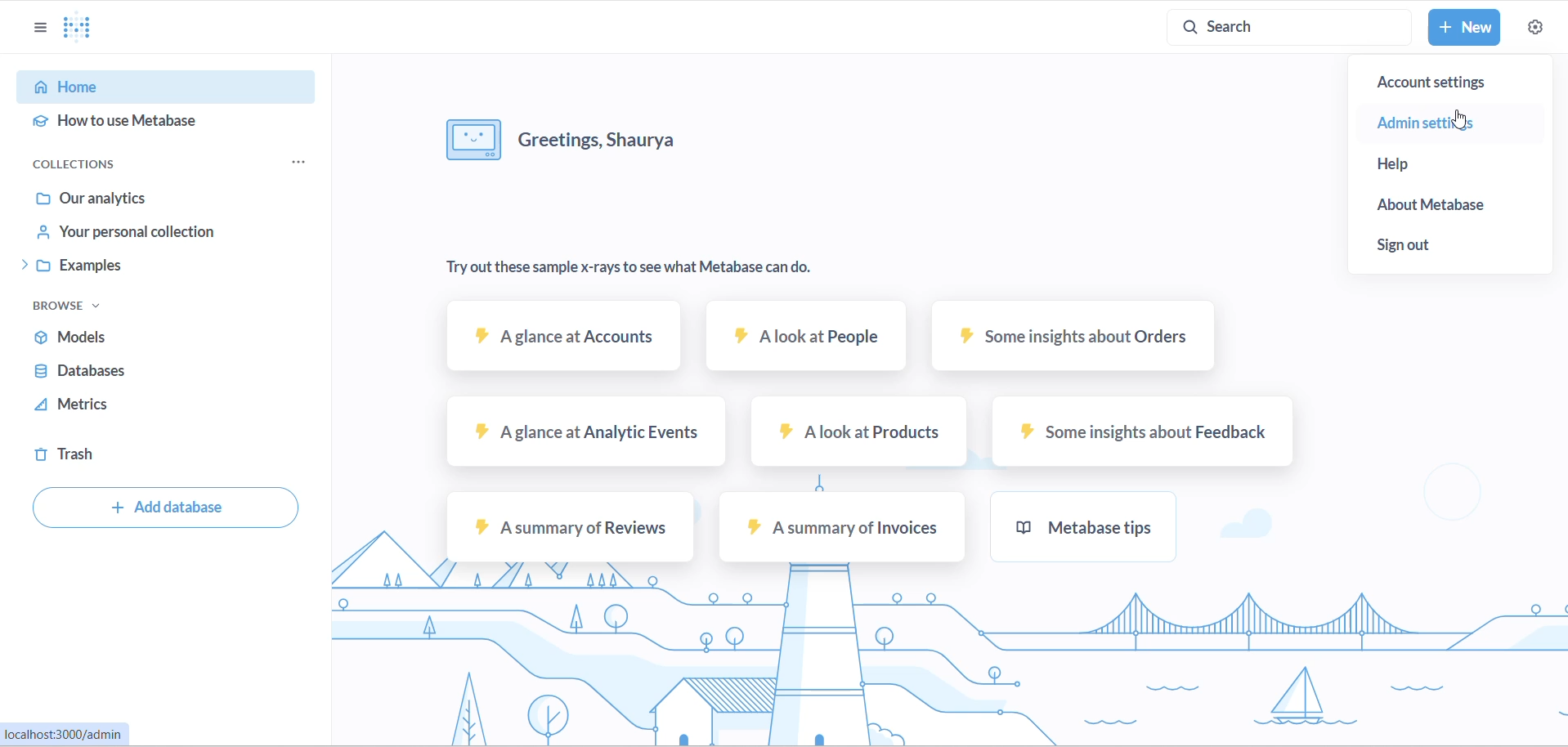 Image resolution: width=1568 pixels, height=747 pixels. I want to click on metabase tips sample, so click(1082, 524).